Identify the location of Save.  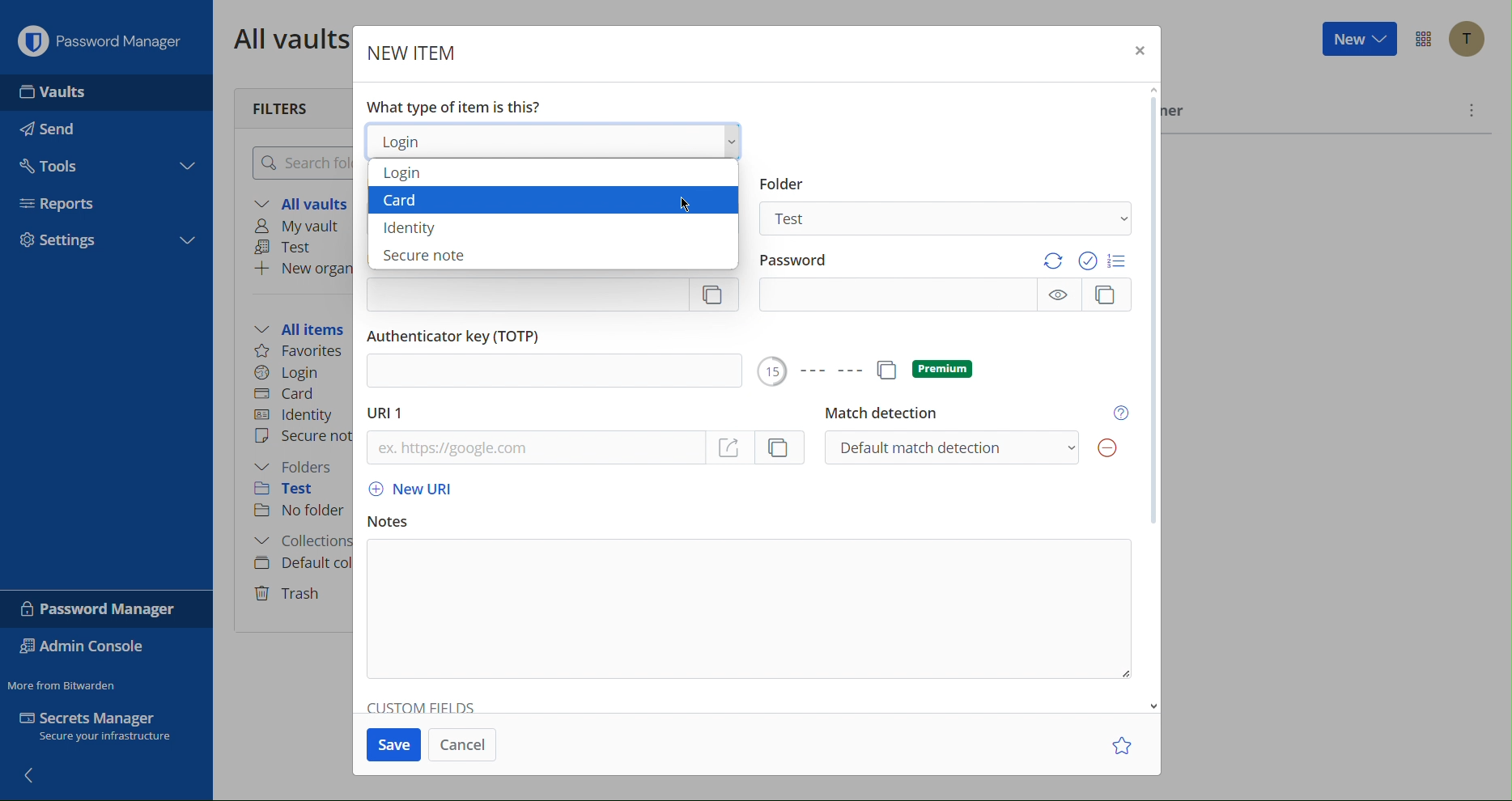
(390, 746).